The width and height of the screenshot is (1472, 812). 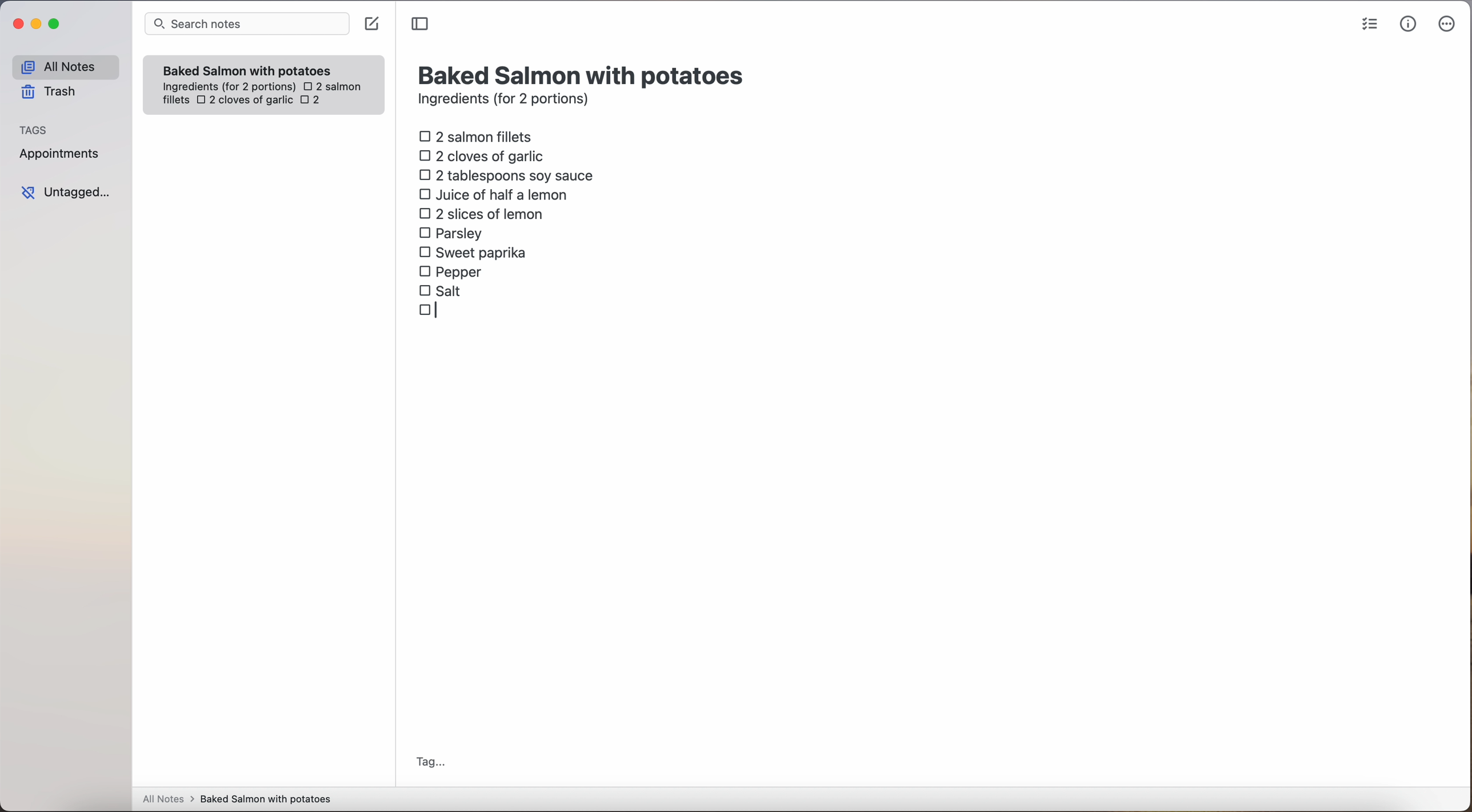 What do you see at coordinates (331, 85) in the screenshot?
I see `2 salmon` at bounding box center [331, 85].